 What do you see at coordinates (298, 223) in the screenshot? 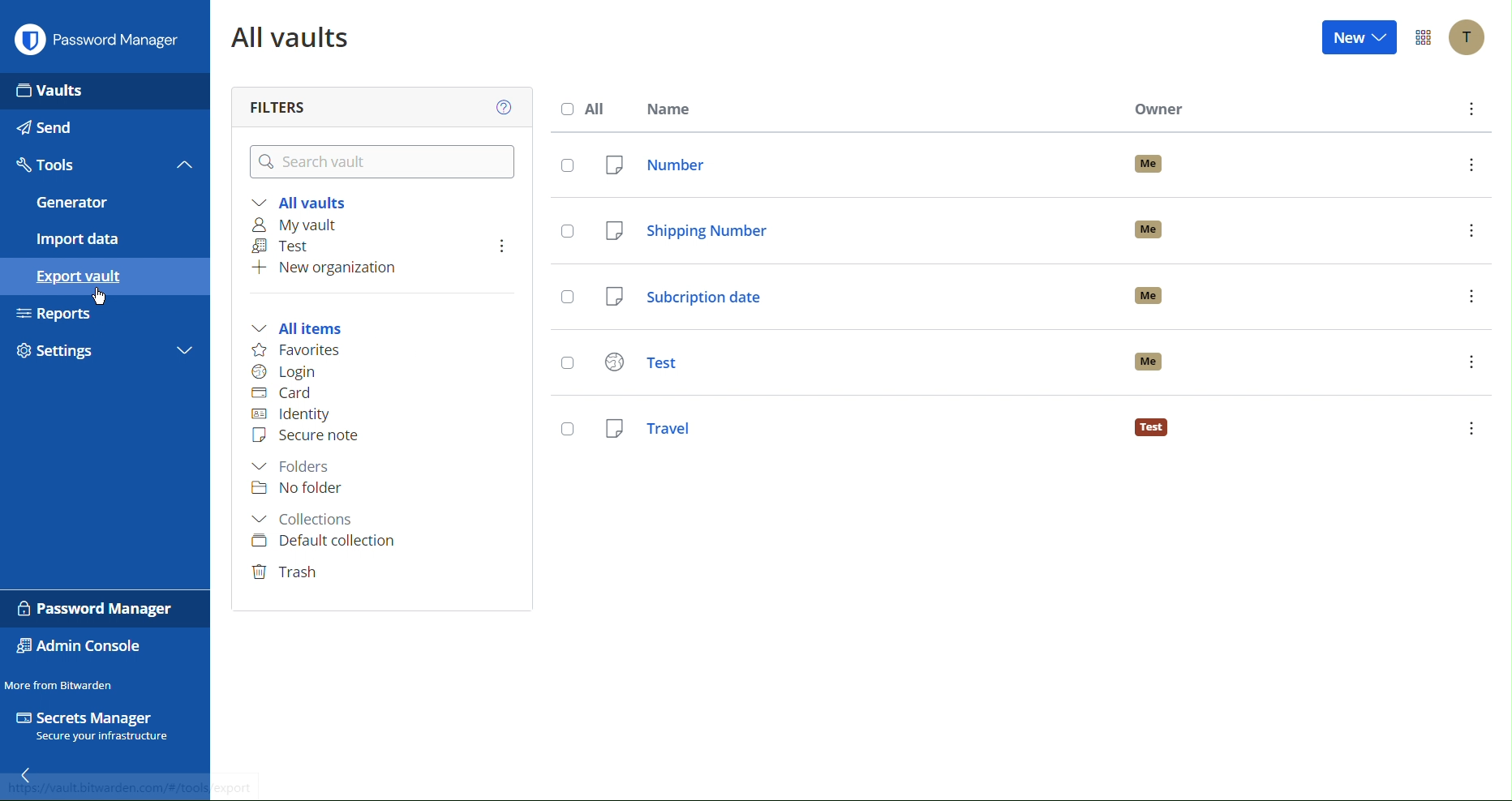
I see `My vault` at bounding box center [298, 223].